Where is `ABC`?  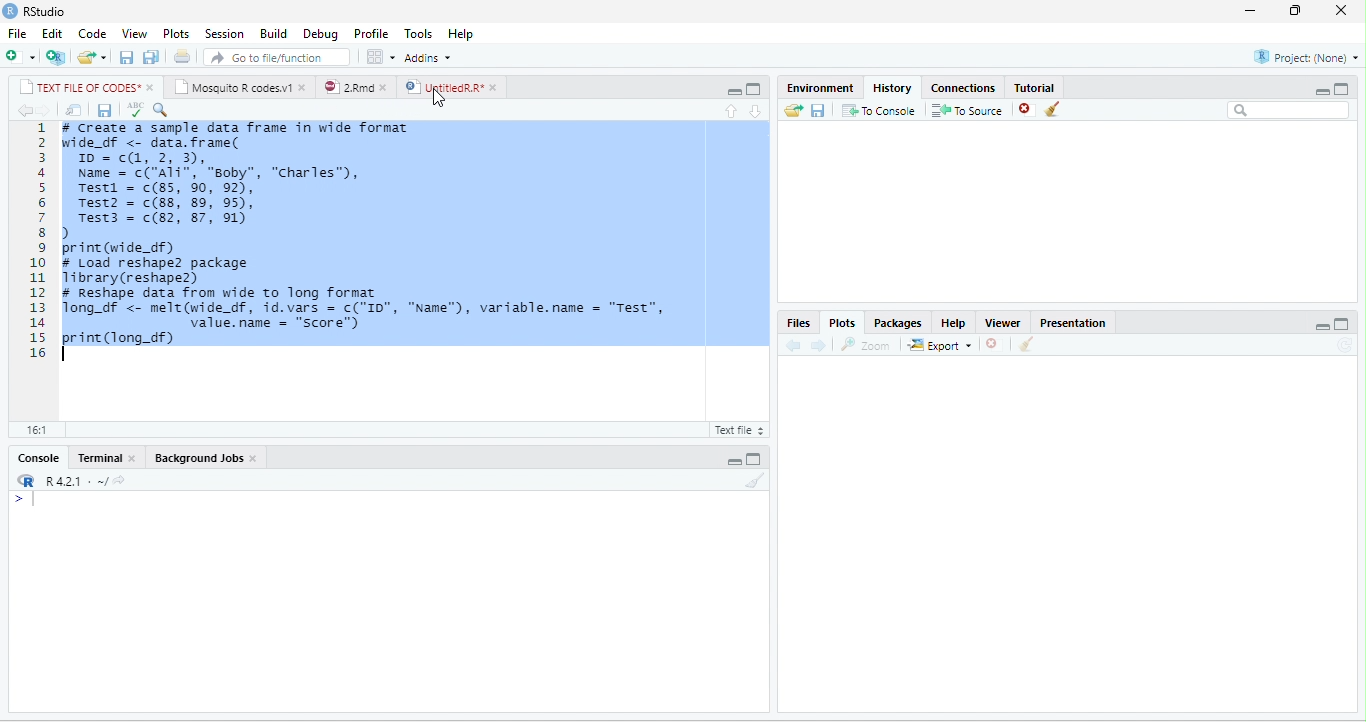 ABC is located at coordinates (135, 110).